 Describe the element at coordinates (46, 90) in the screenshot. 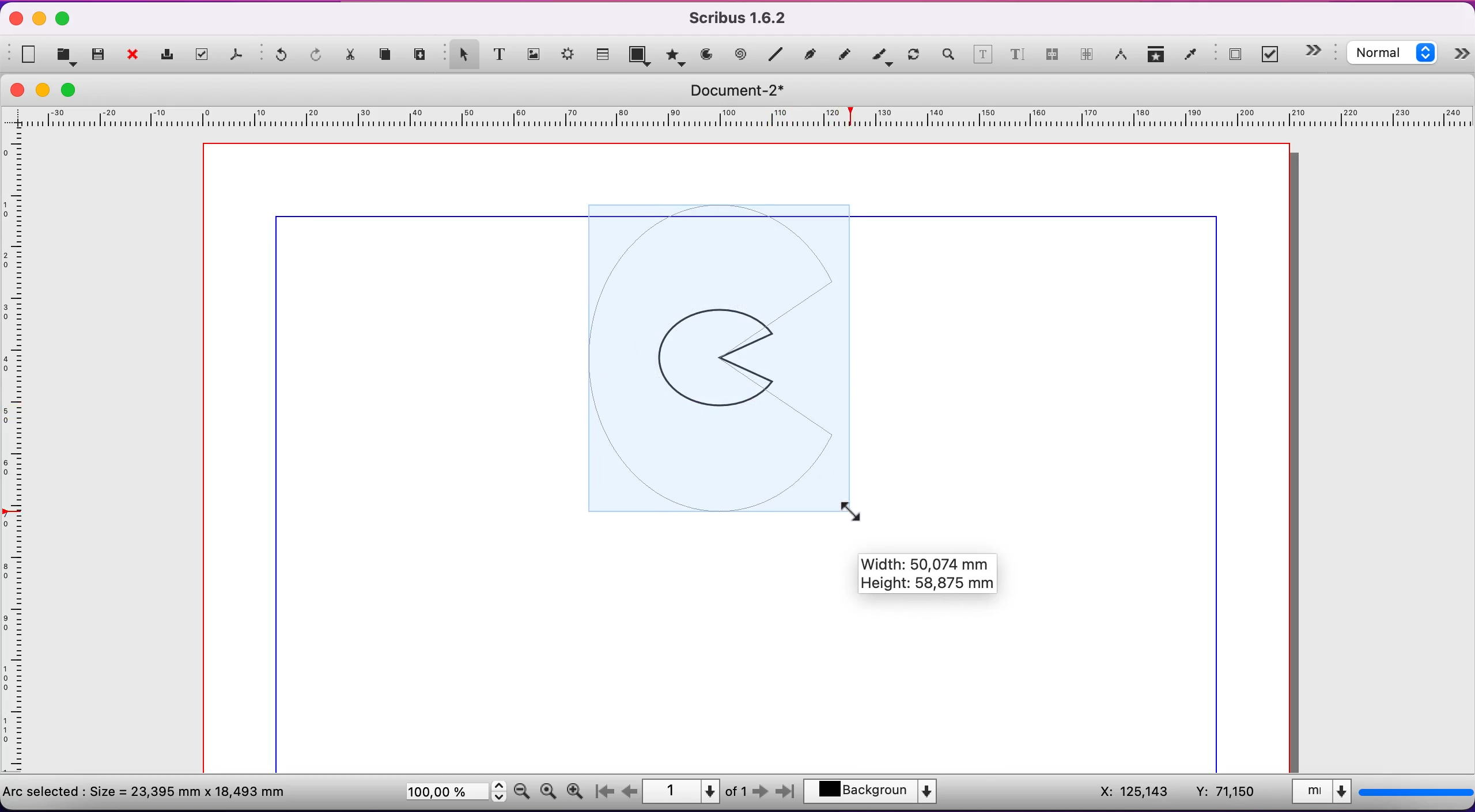

I see `minimize` at that location.